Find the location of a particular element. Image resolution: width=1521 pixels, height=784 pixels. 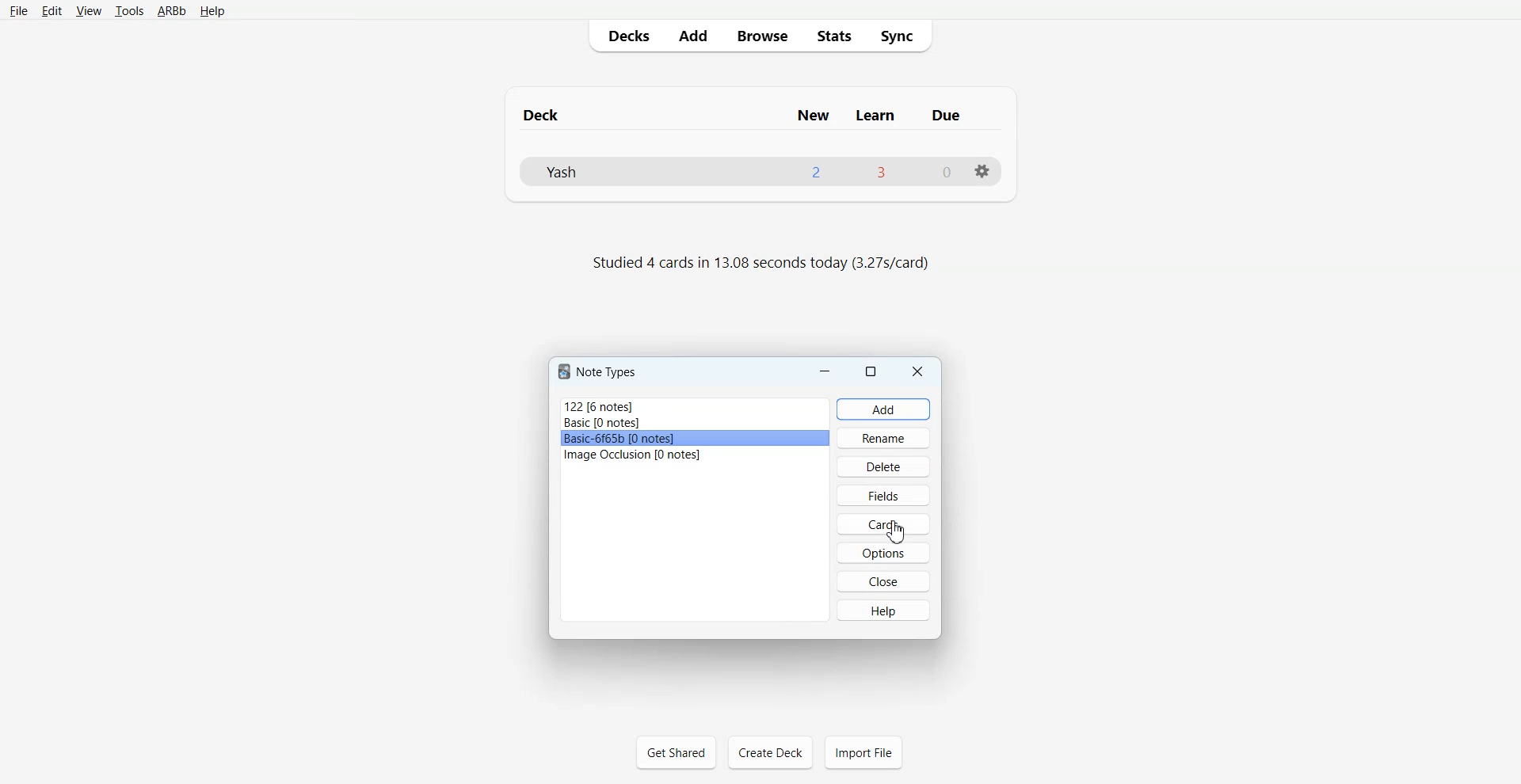

Add is located at coordinates (884, 409).